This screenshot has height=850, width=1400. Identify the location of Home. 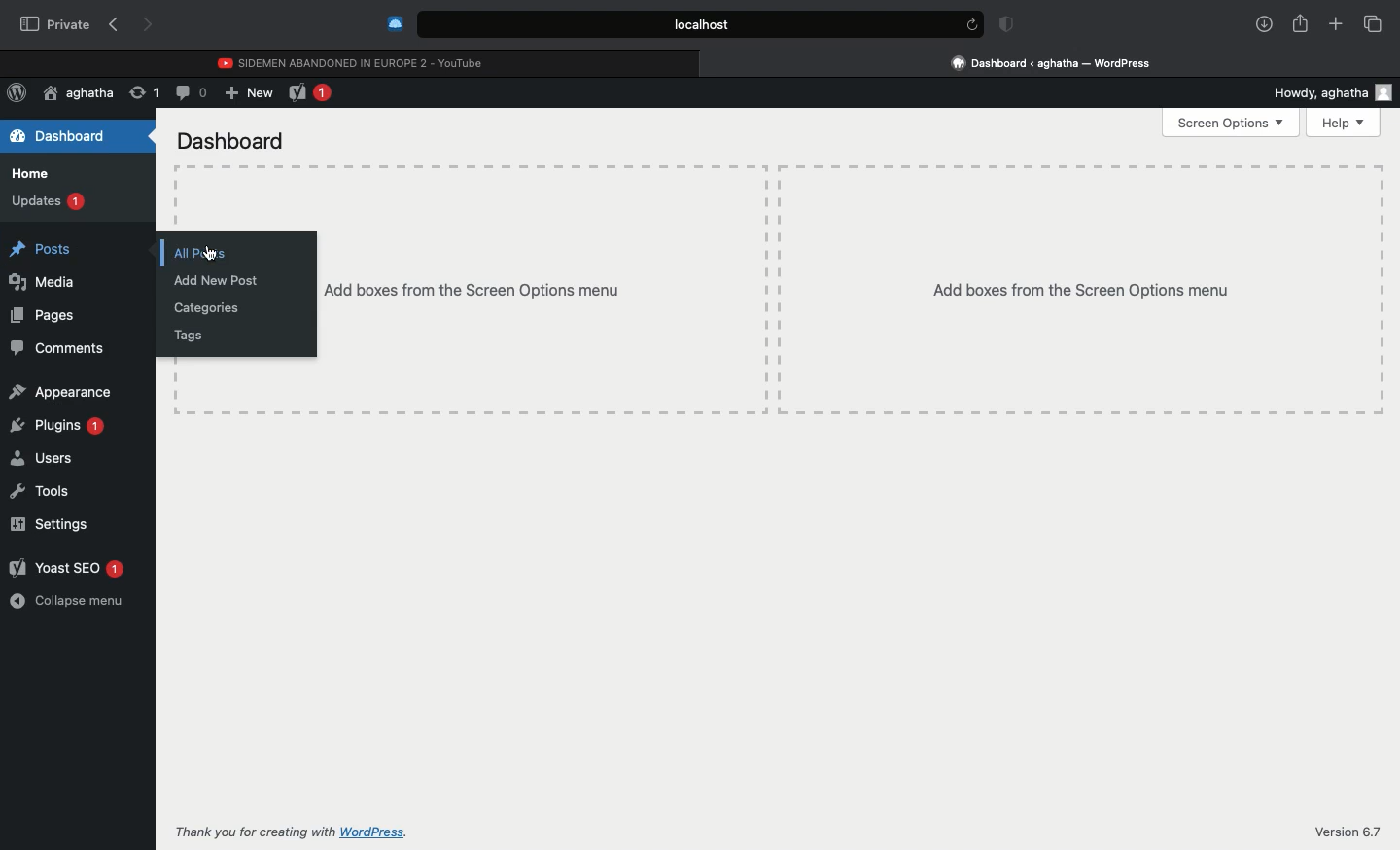
(30, 176).